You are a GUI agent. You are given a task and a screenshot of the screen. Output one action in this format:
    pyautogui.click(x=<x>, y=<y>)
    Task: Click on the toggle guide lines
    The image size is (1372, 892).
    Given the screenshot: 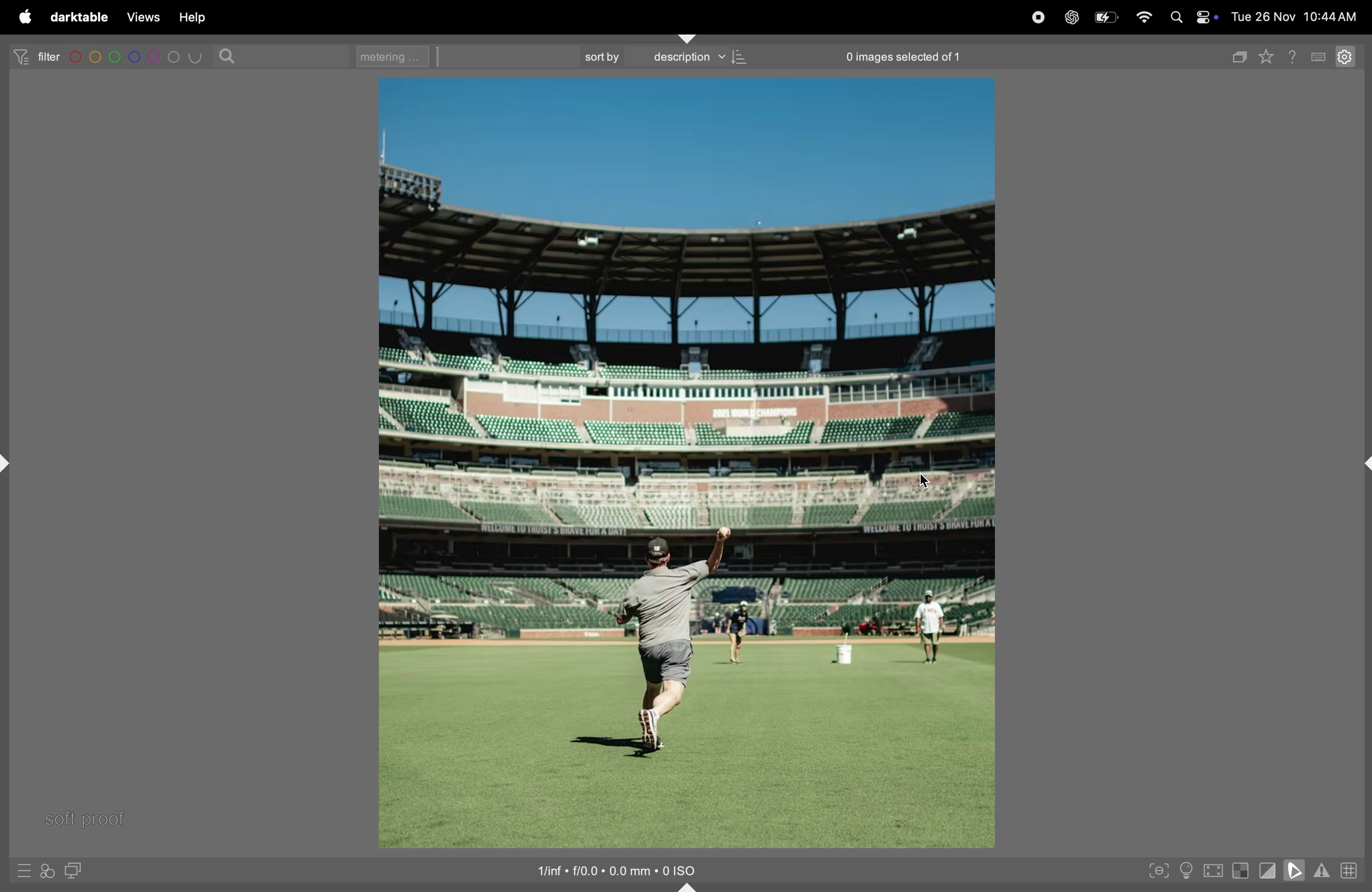 What is the action you would take?
    pyautogui.click(x=1350, y=872)
    